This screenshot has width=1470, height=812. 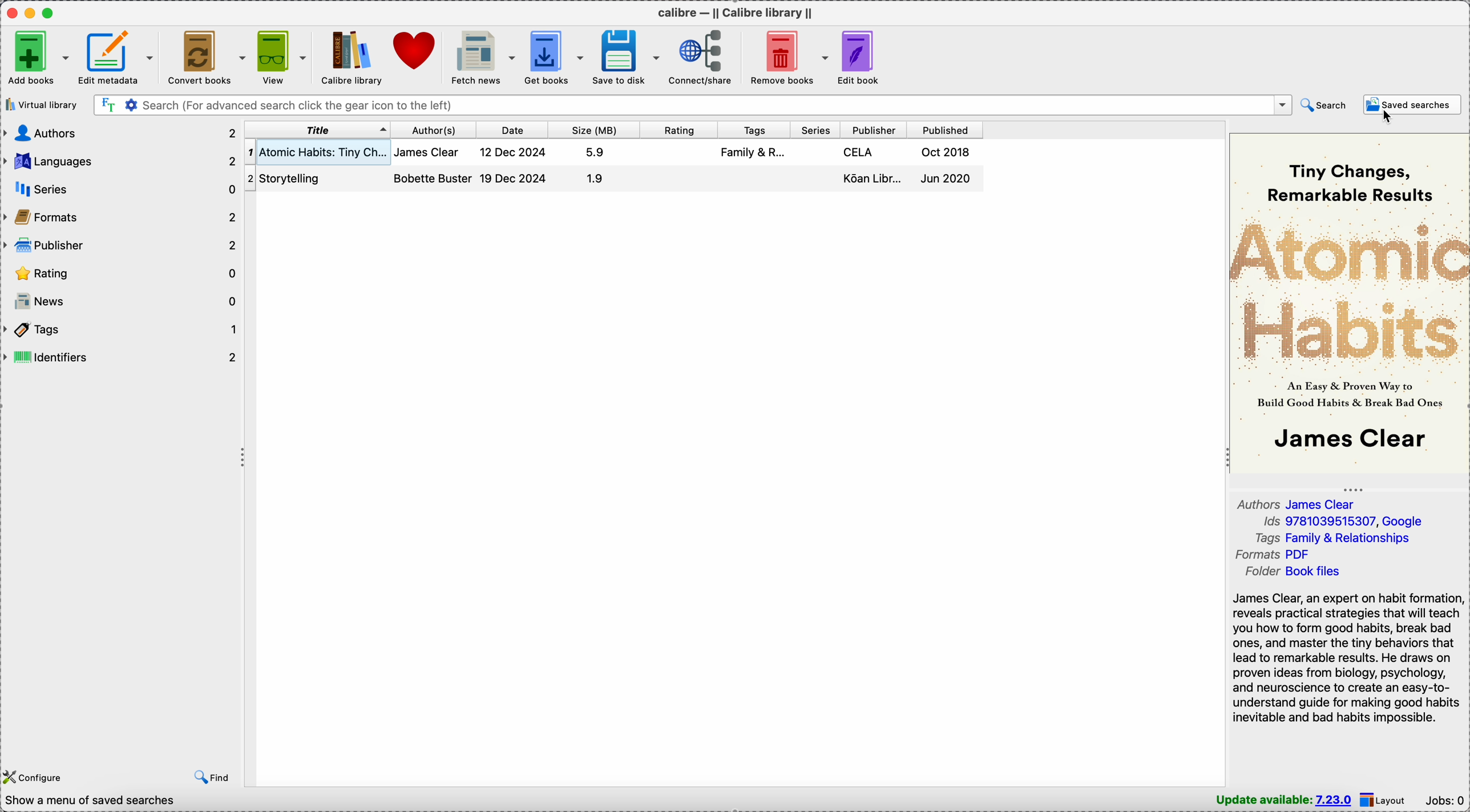 What do you see at coordinates (244, 458) in the screenshot?
I see `drag handle` at bounding box center [244, 458].